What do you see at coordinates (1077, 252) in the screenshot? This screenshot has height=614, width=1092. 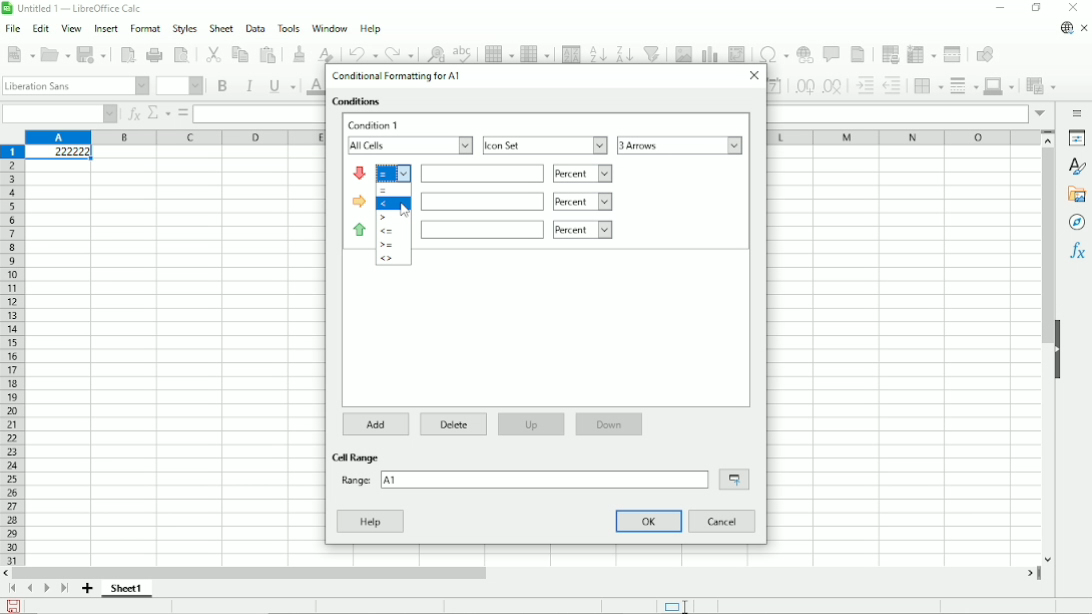 I see `Functions` at bounding box center [1077, 252].